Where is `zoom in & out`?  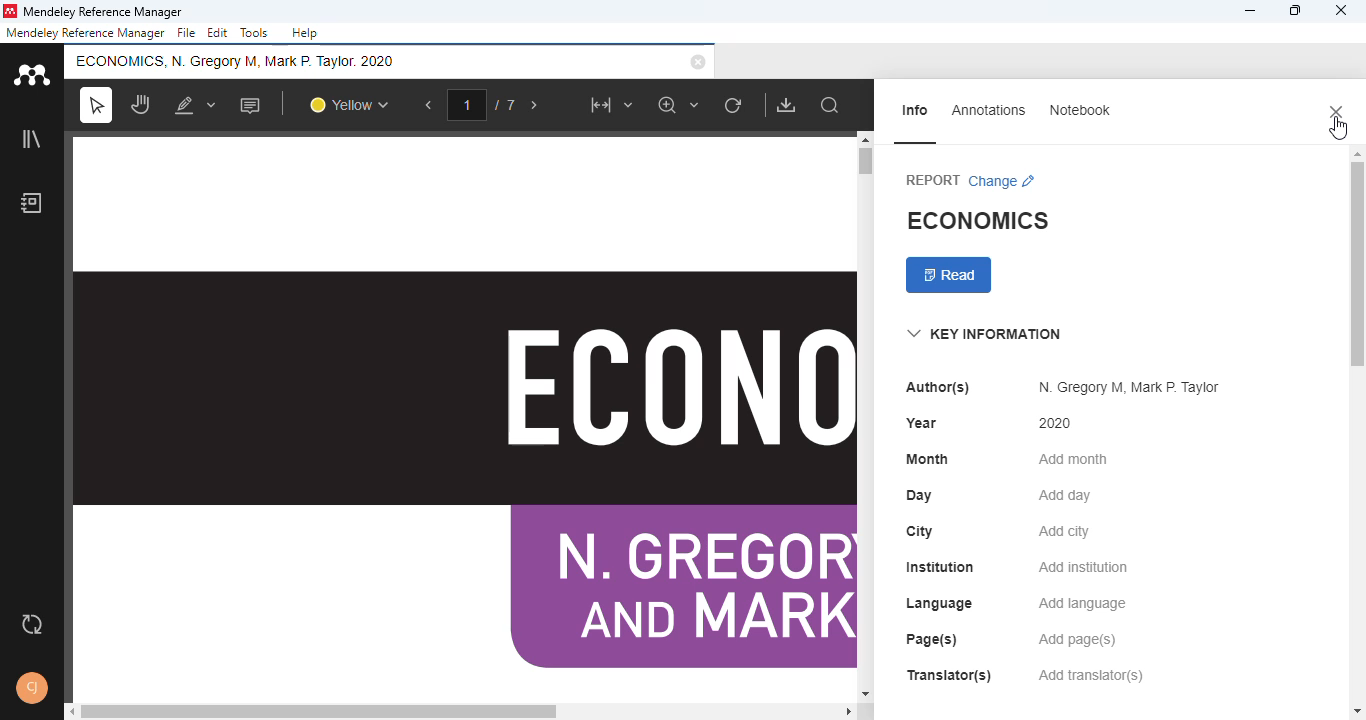 zoom in & out is located at coordinates (680, 104).